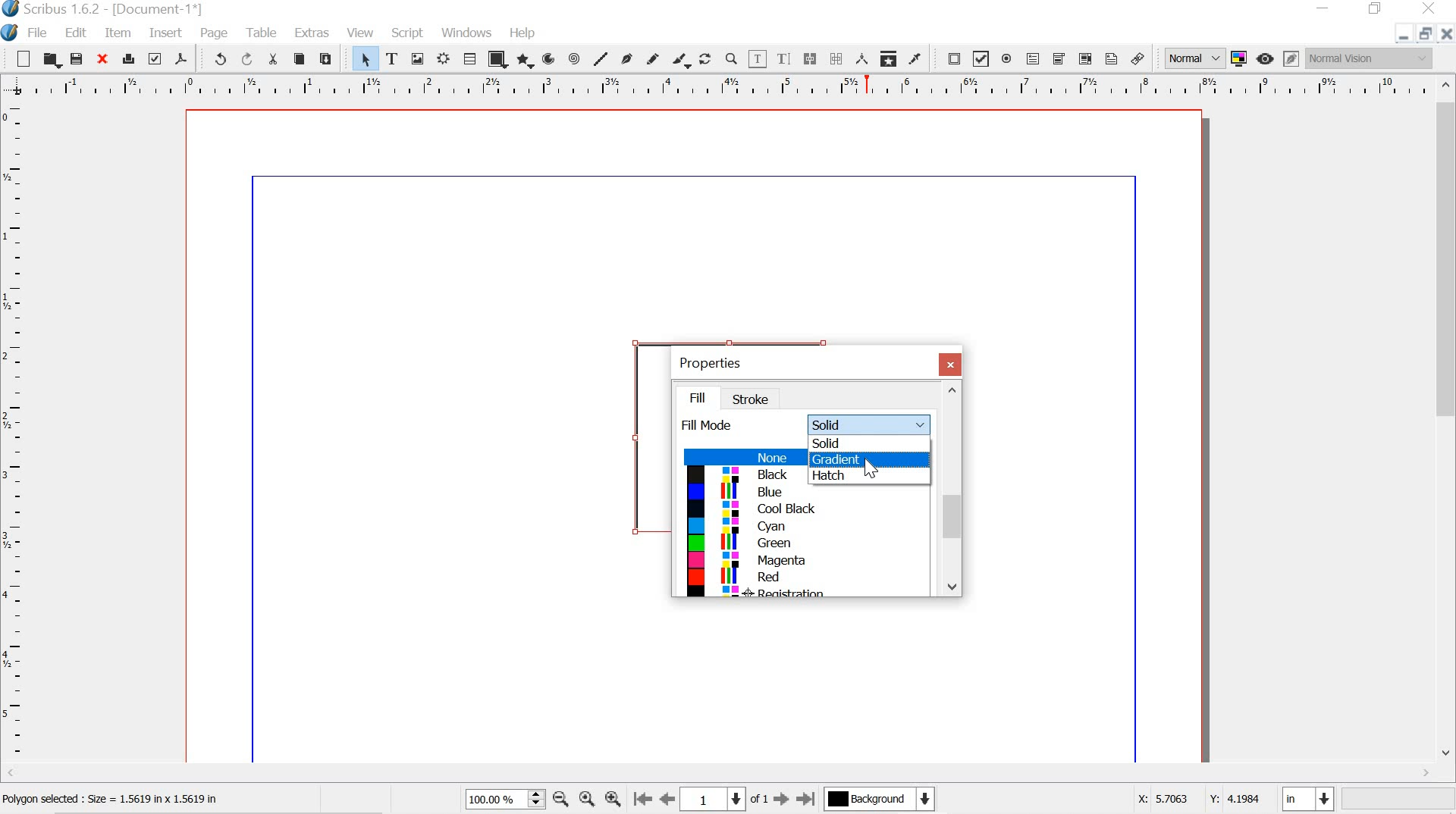 This screenshot has width=1456, height=814. What do you see at coordinates (1289, 58) in the screenshot?
I see `edit in preview mode` at bounding box center [1289, 58].